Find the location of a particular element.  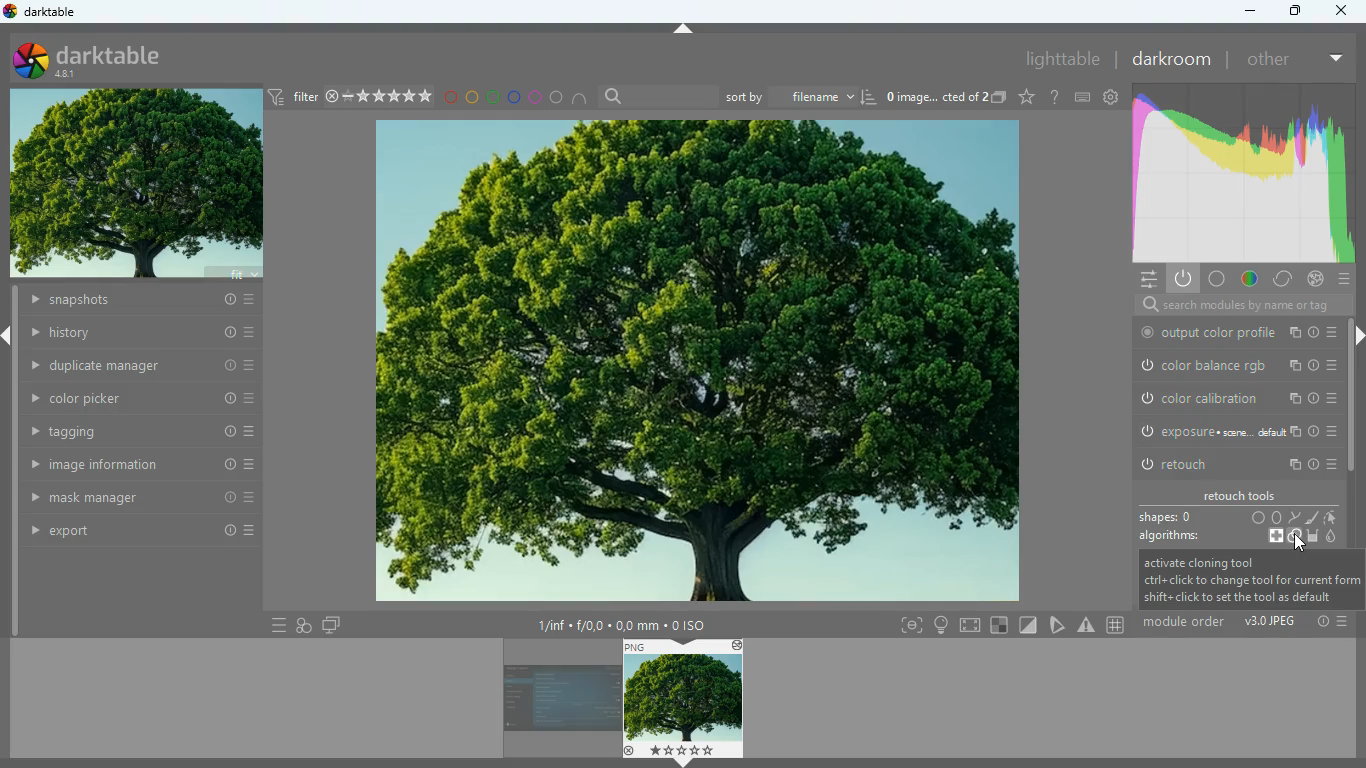

image information is located at coordinates (144, 465).